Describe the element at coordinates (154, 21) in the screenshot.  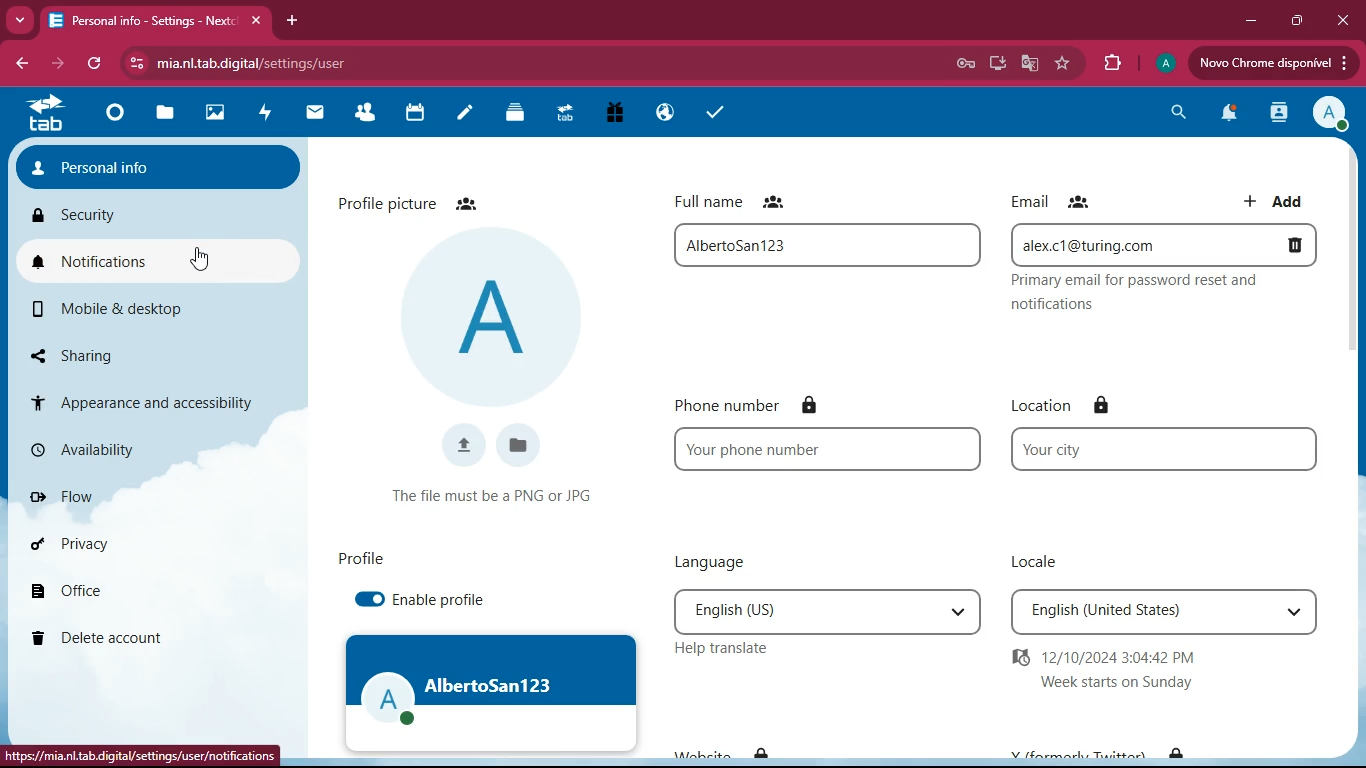
I see `tab` at that location.